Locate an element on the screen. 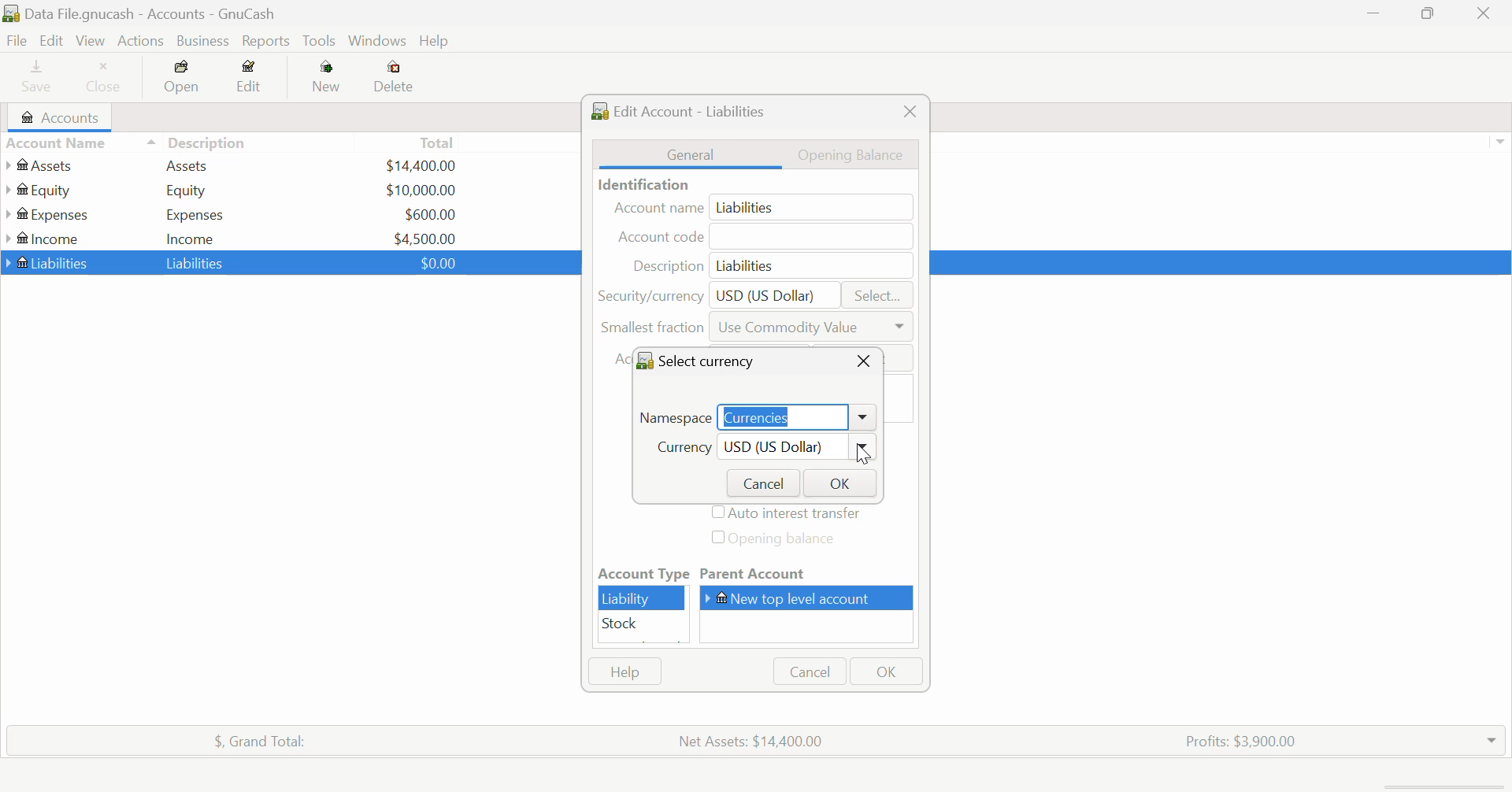  Assets Account is located at coordinates (42, 165).